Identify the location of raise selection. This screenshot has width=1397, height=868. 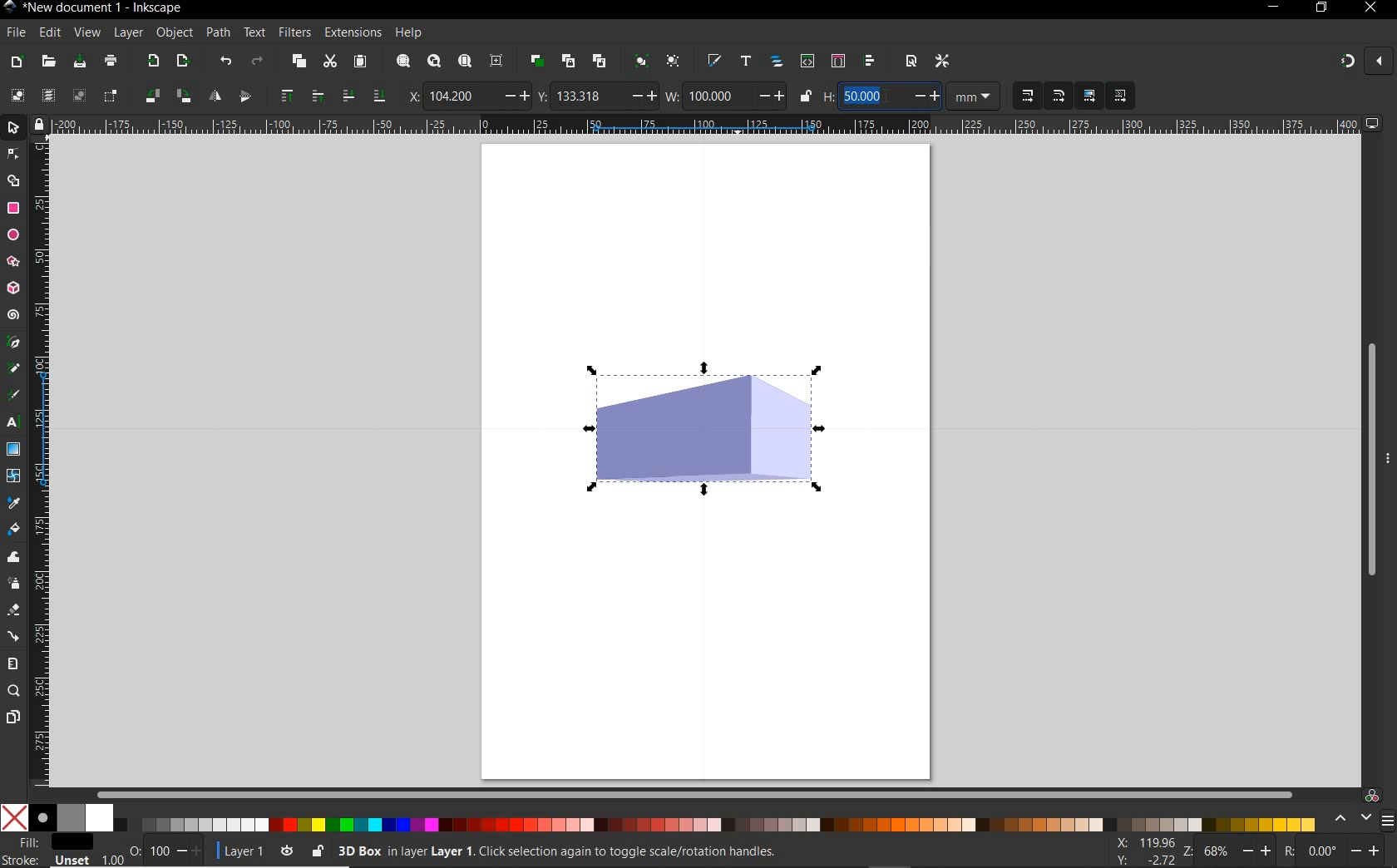
(286, 97).